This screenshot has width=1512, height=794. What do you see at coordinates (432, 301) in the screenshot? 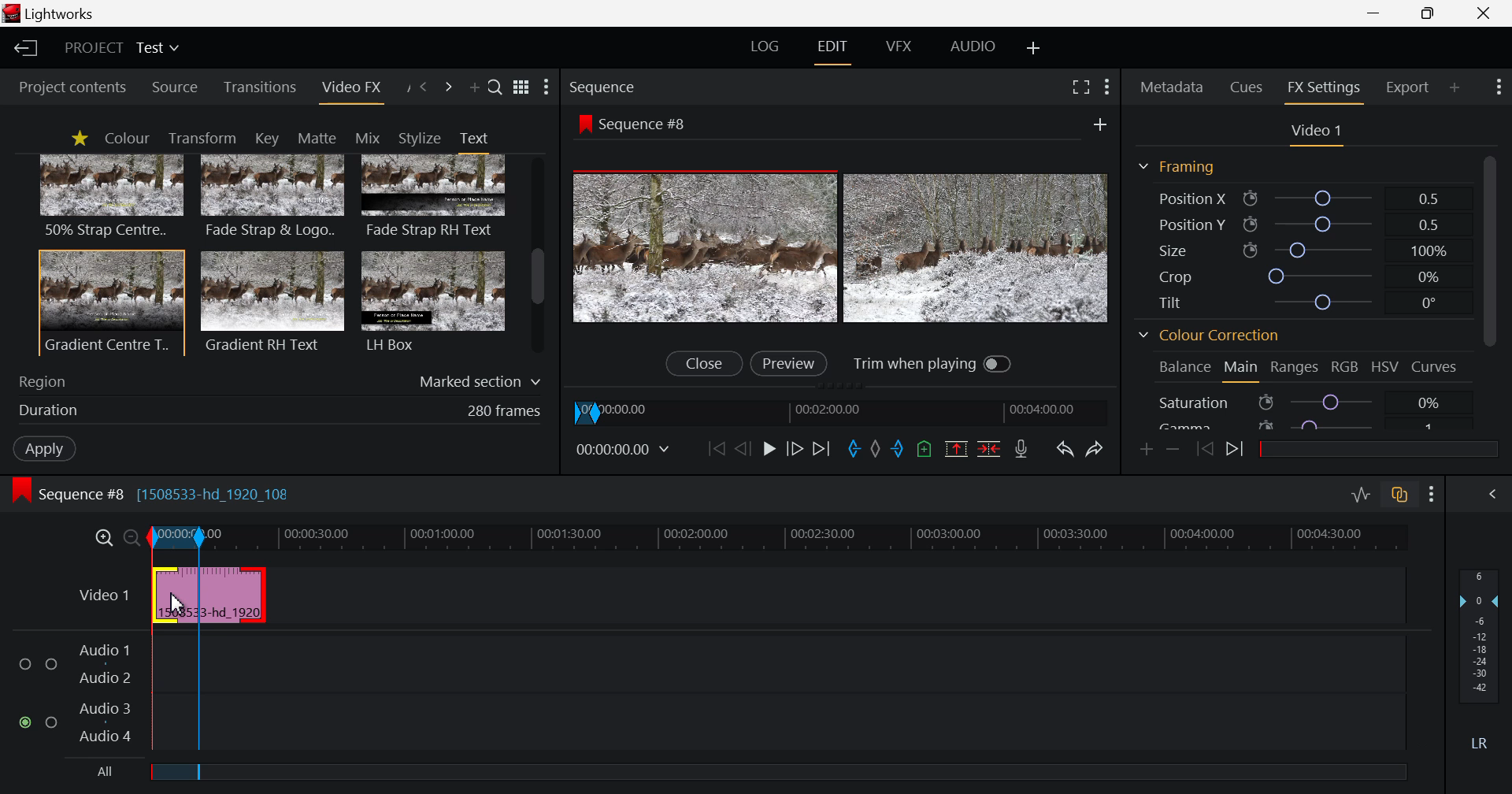
I see `LH Box` at bounding box center [432, 301].